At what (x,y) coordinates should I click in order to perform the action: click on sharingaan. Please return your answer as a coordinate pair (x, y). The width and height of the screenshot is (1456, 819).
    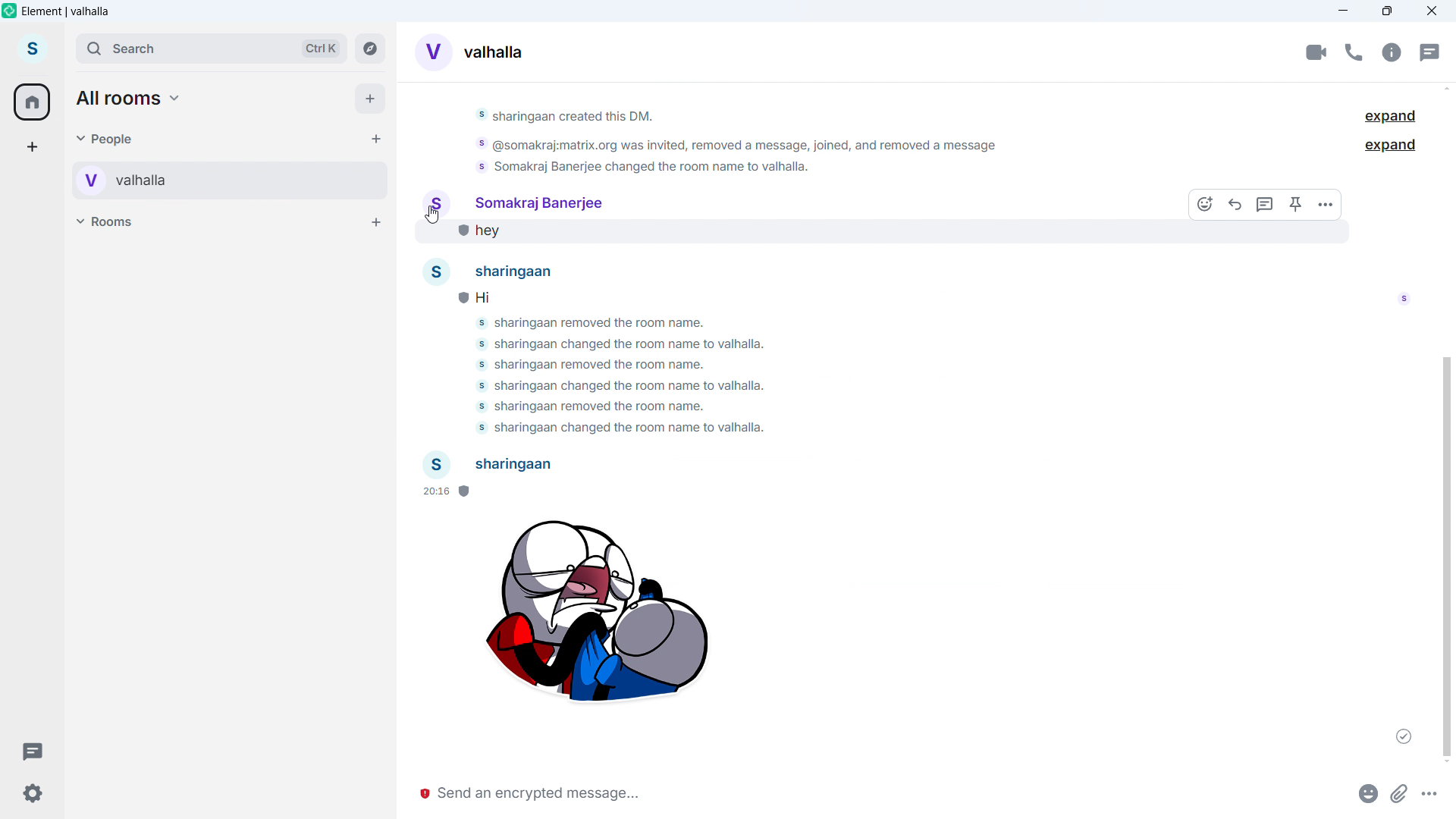
    Looking at the image, I should click on (497, 271).